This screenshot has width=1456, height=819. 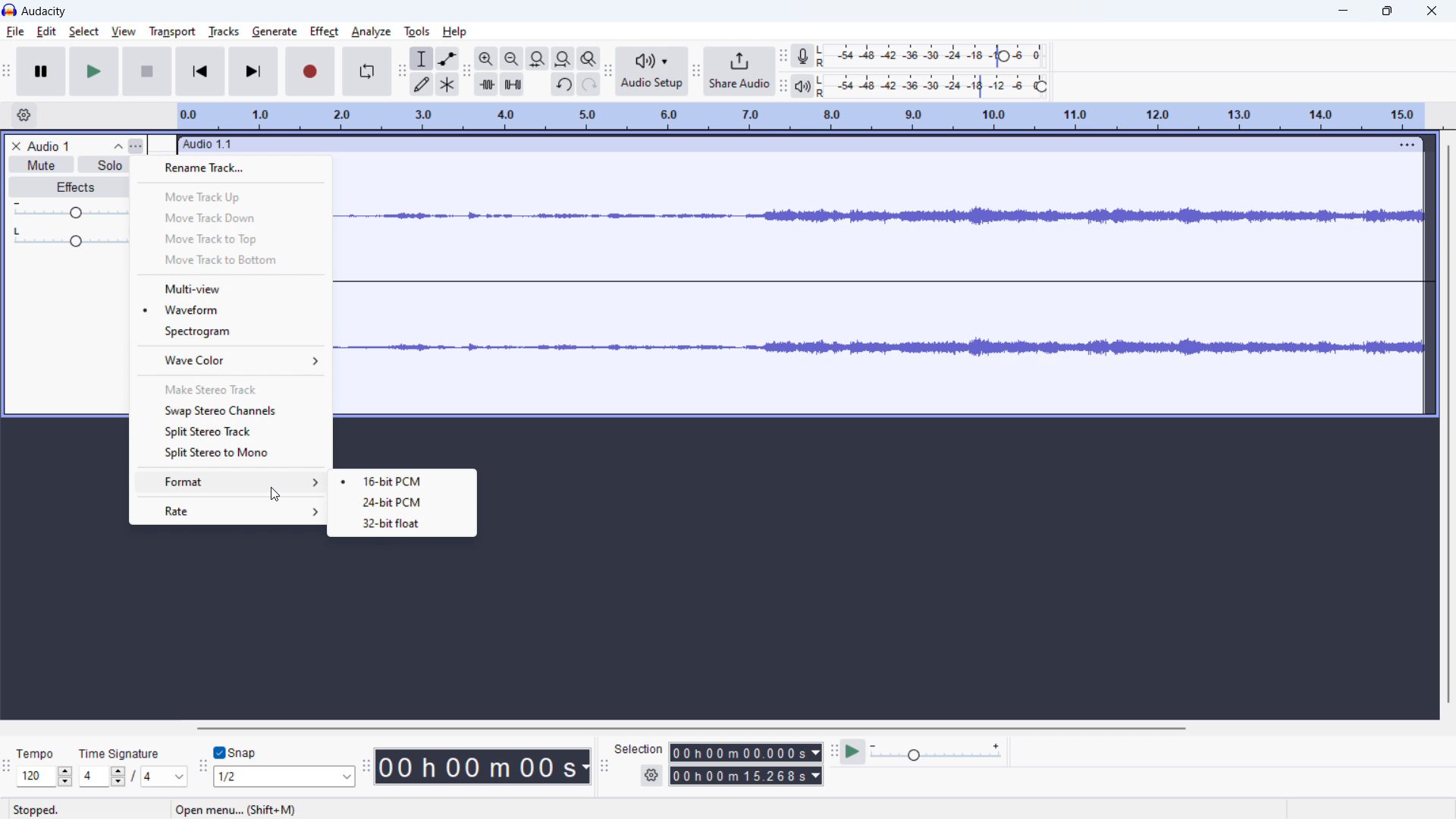 I want to click on playback meter toolbar, so click(x=783, y=86).